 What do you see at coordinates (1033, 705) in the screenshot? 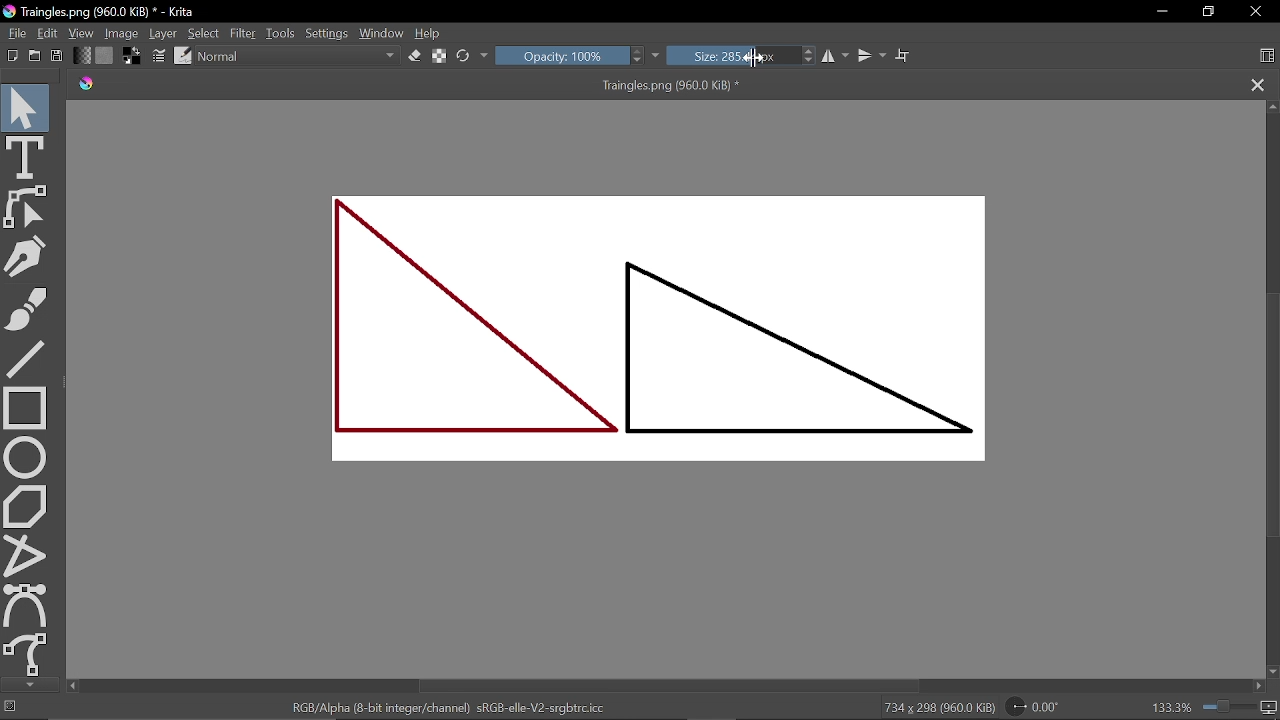
I see `Rotation` at bounding box center [1033, 705].